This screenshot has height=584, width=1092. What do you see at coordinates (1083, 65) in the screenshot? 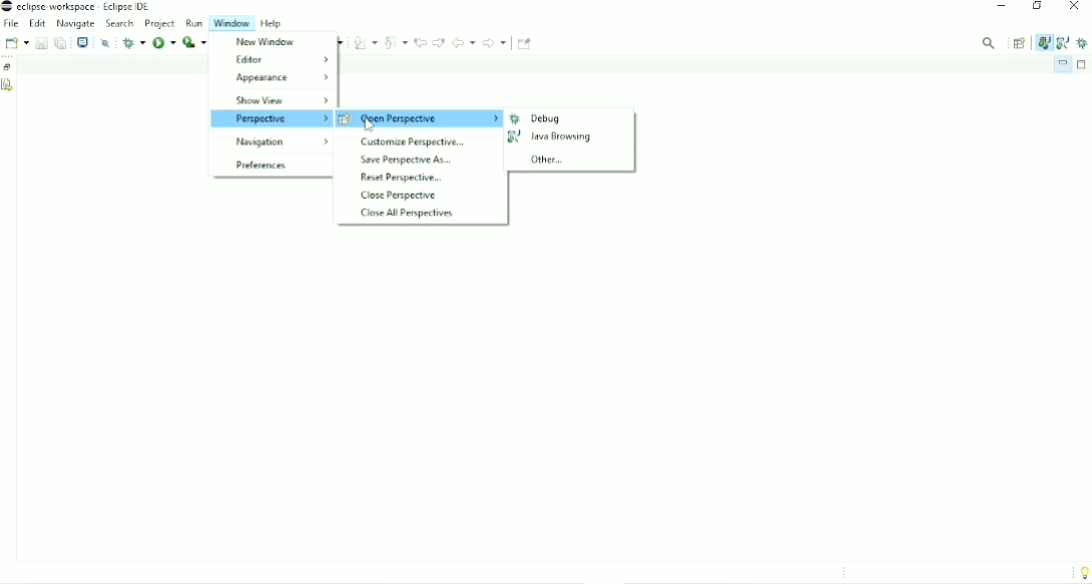
I see `Maximize` at bounding box center [1083, 65].